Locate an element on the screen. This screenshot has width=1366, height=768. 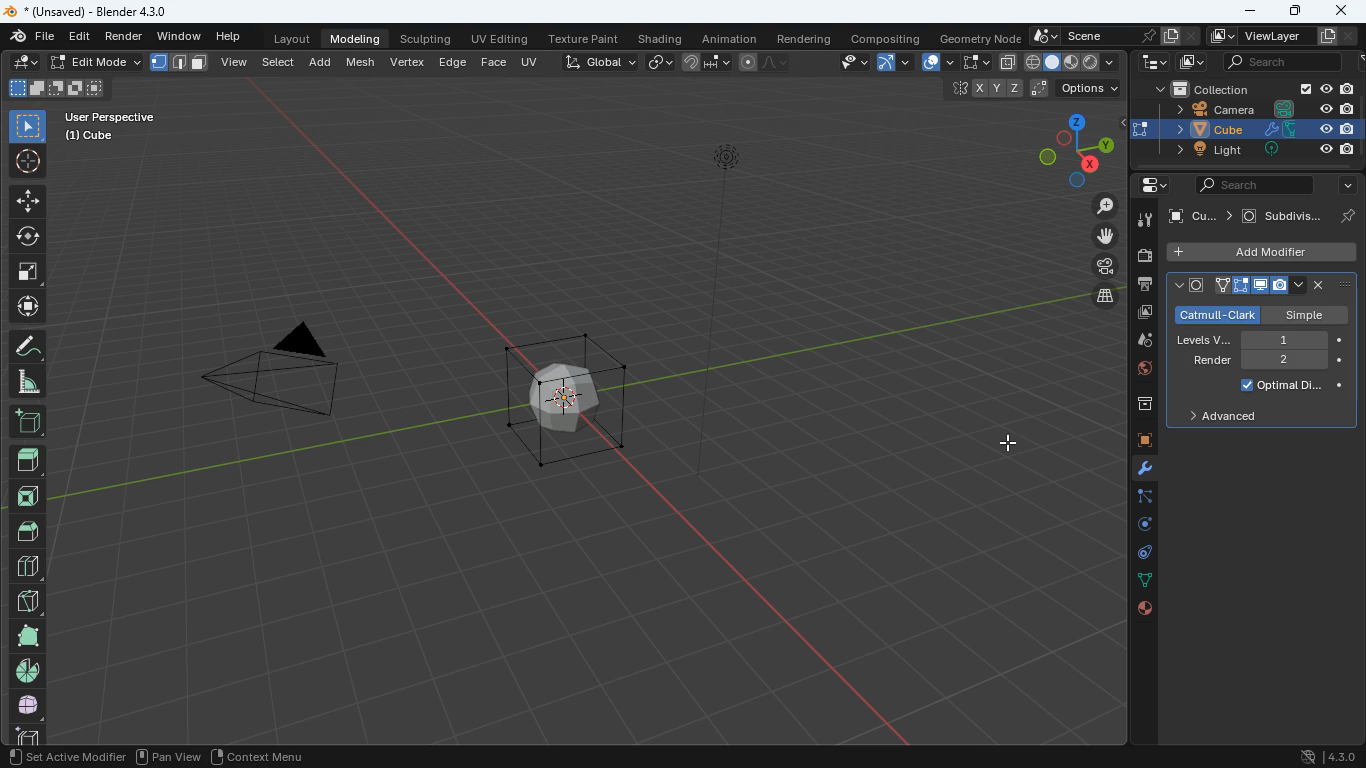
render is located at coordinates (1267, 362).